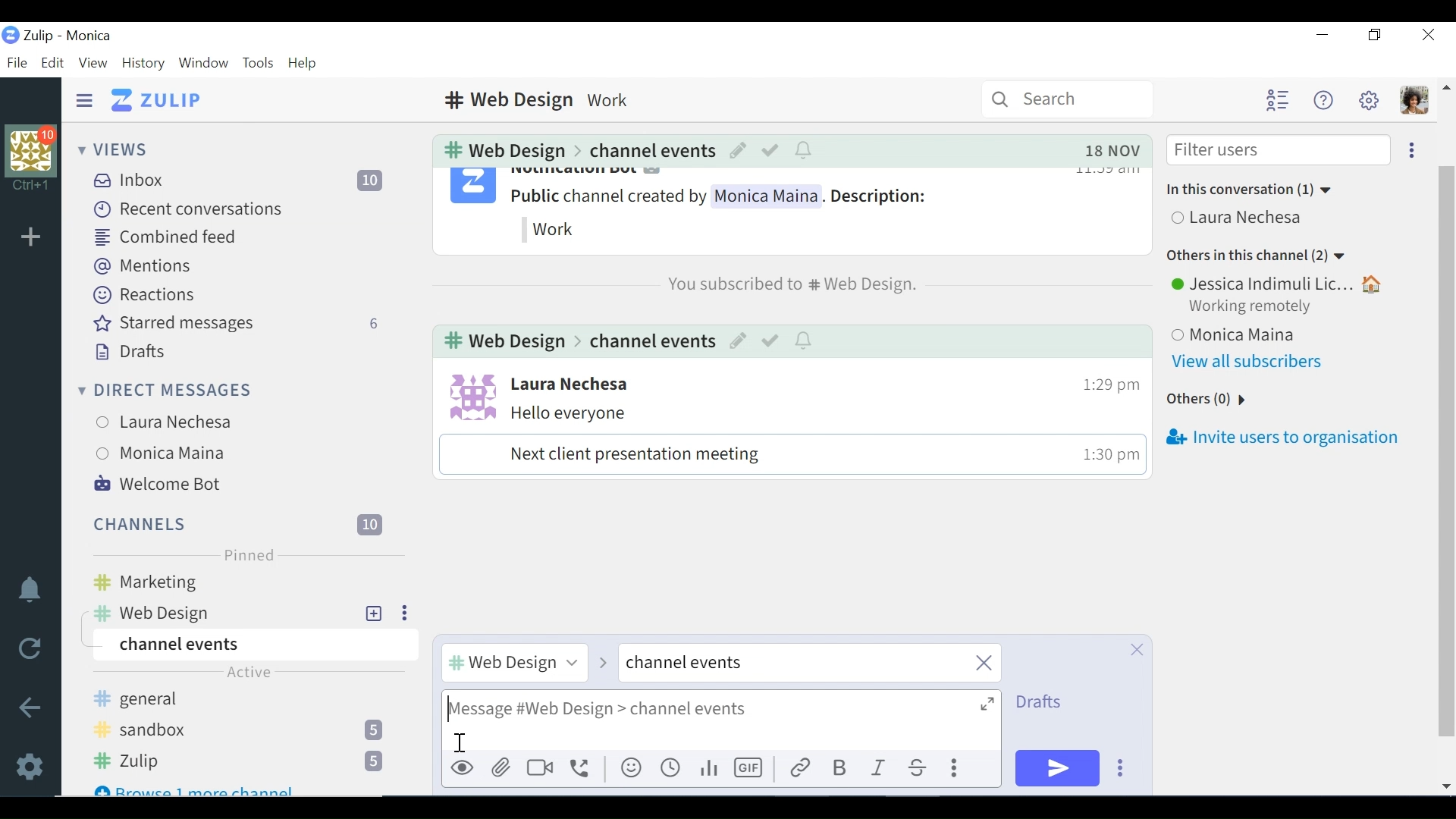  What do you see at coordinates (1408, 149) in the screenshot?
I see `Ellipsis` at bounding box center [1408, 149].